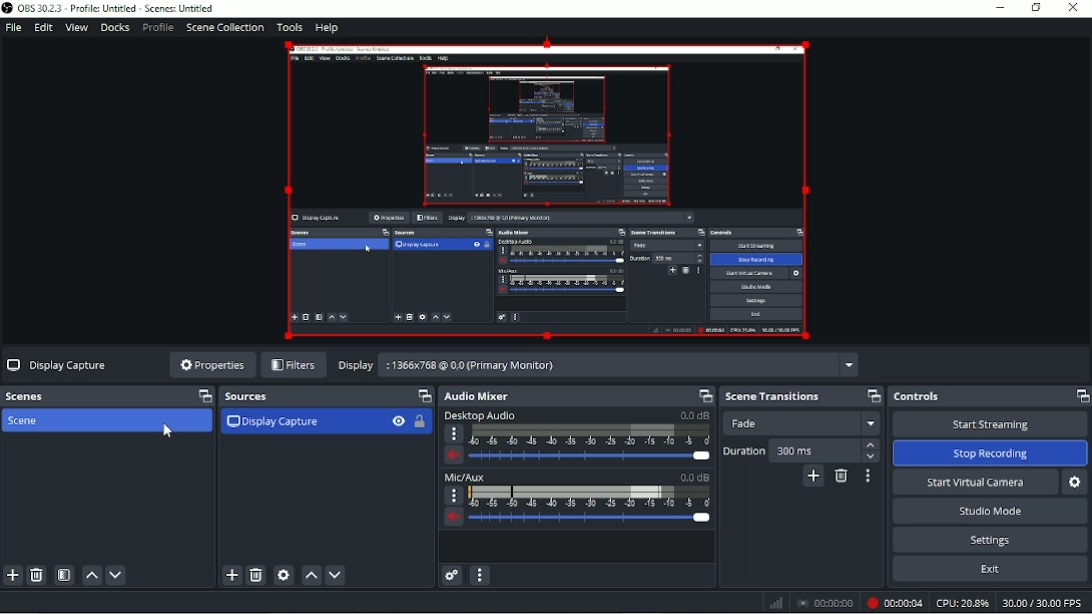  What do you see at coordinates (990, 424) in the screenshot?
I see `Start streaming` at bounding box center [990, 424].